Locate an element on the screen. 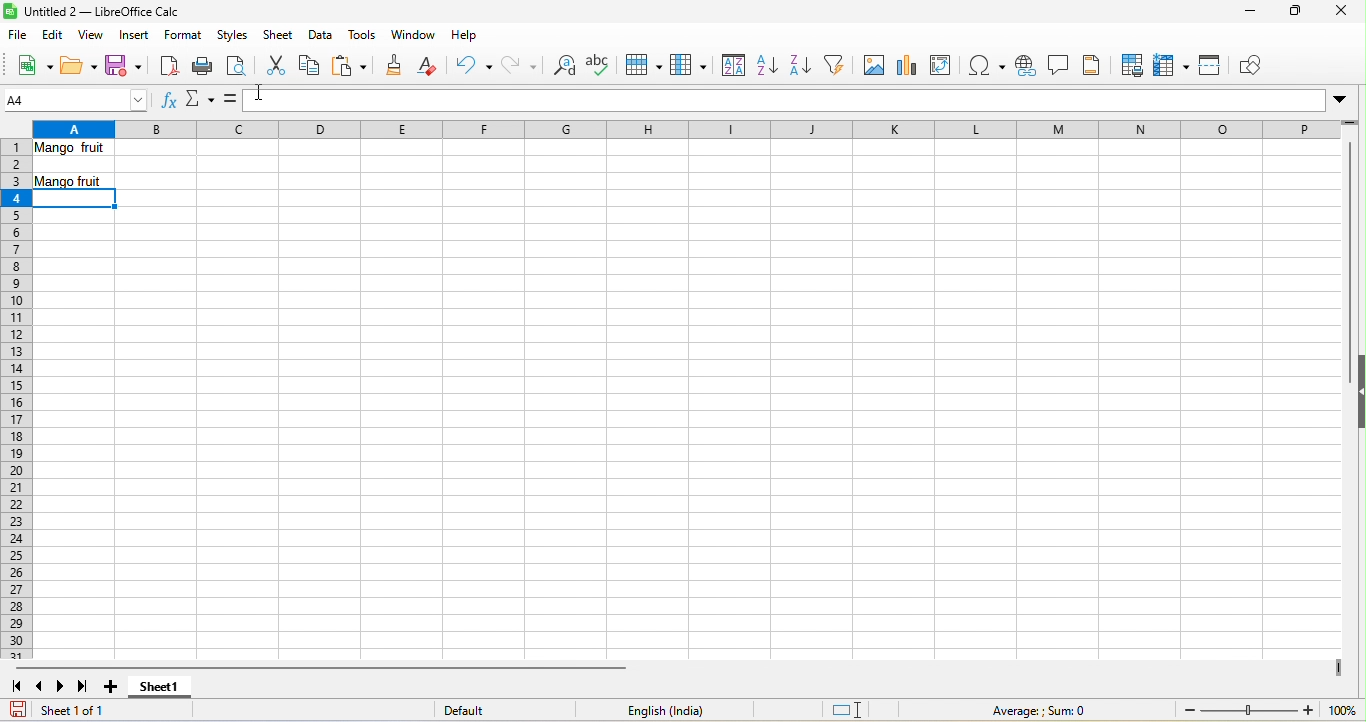 This screenshot has width=1366, height=722. print area is located at coordinates (1129, 64).